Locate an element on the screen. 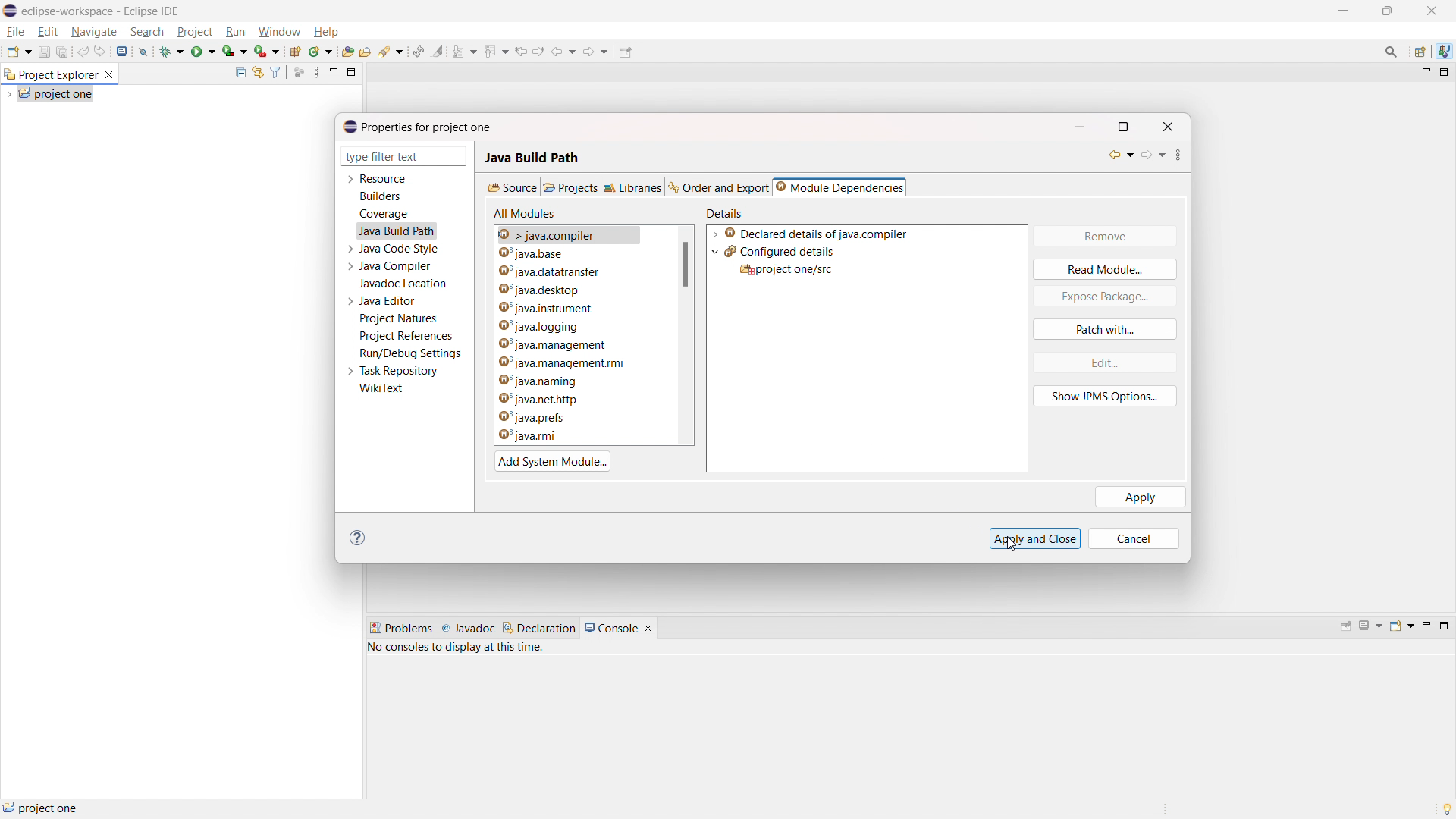  search is located at coordinates (391, 52).